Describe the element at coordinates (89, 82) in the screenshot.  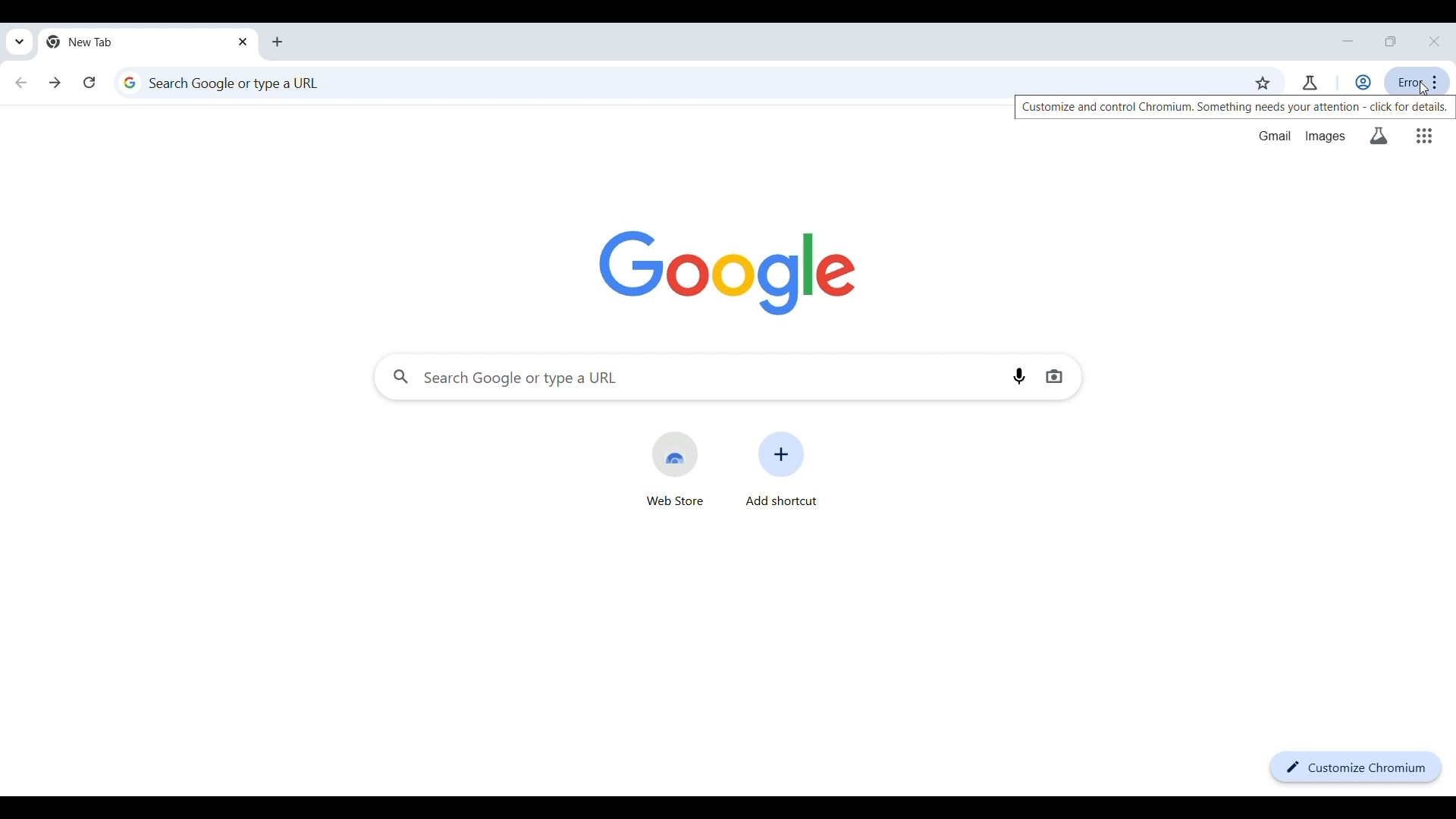
I see `Reload current page` at that location.